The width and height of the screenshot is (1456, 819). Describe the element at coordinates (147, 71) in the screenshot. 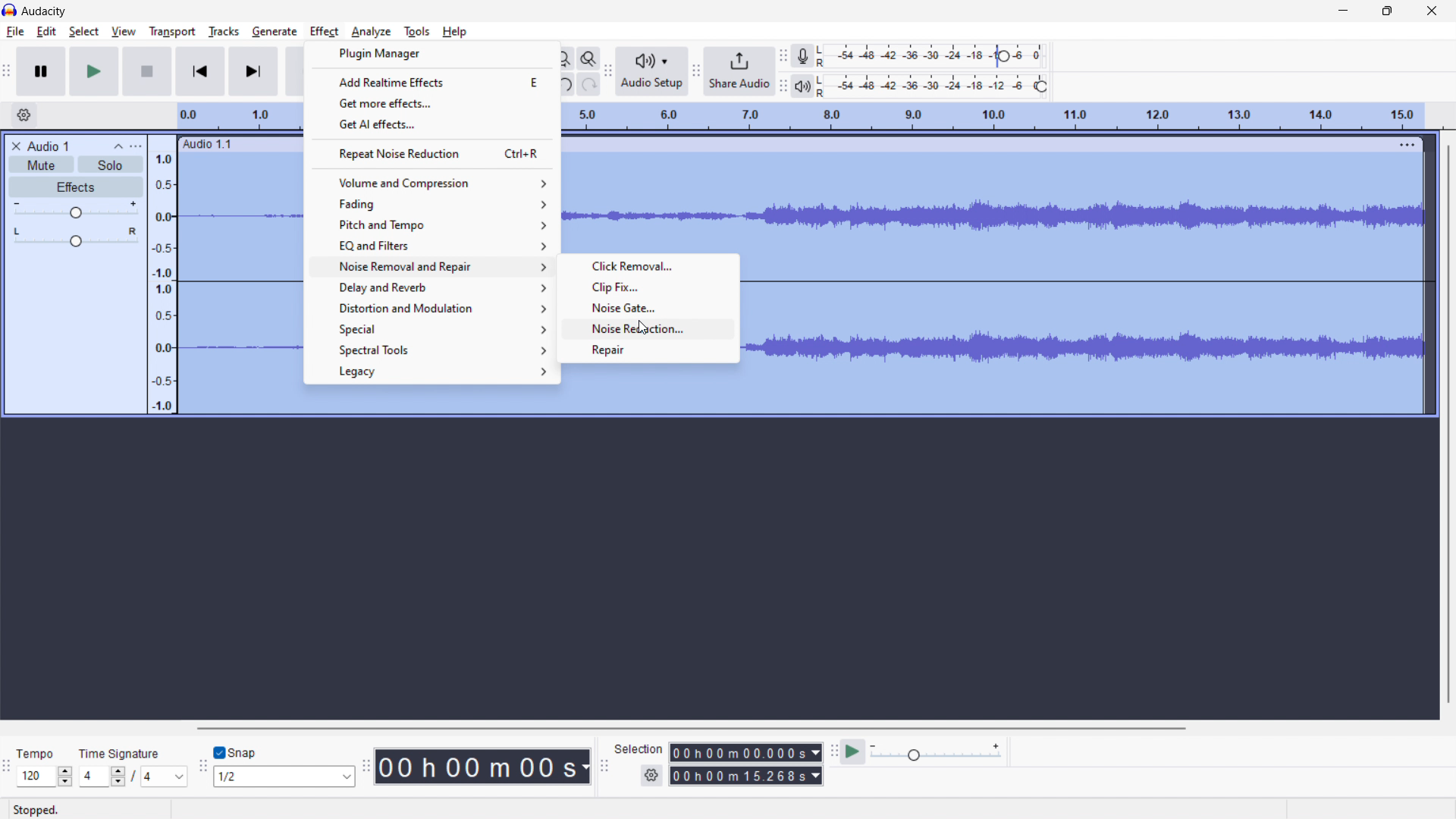

I see `stop` at that location.